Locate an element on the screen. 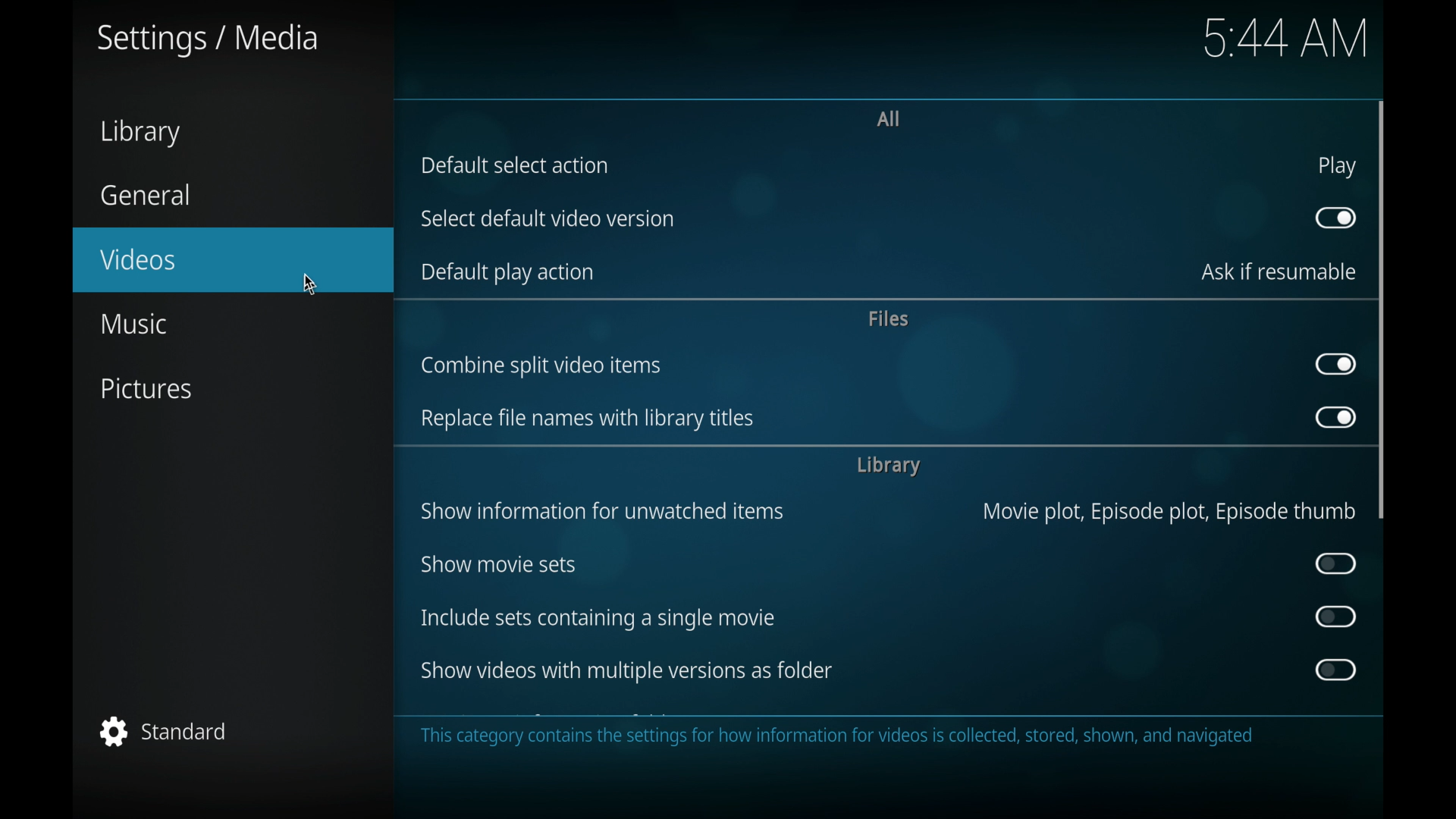  music is located at coordinates (133, 324).